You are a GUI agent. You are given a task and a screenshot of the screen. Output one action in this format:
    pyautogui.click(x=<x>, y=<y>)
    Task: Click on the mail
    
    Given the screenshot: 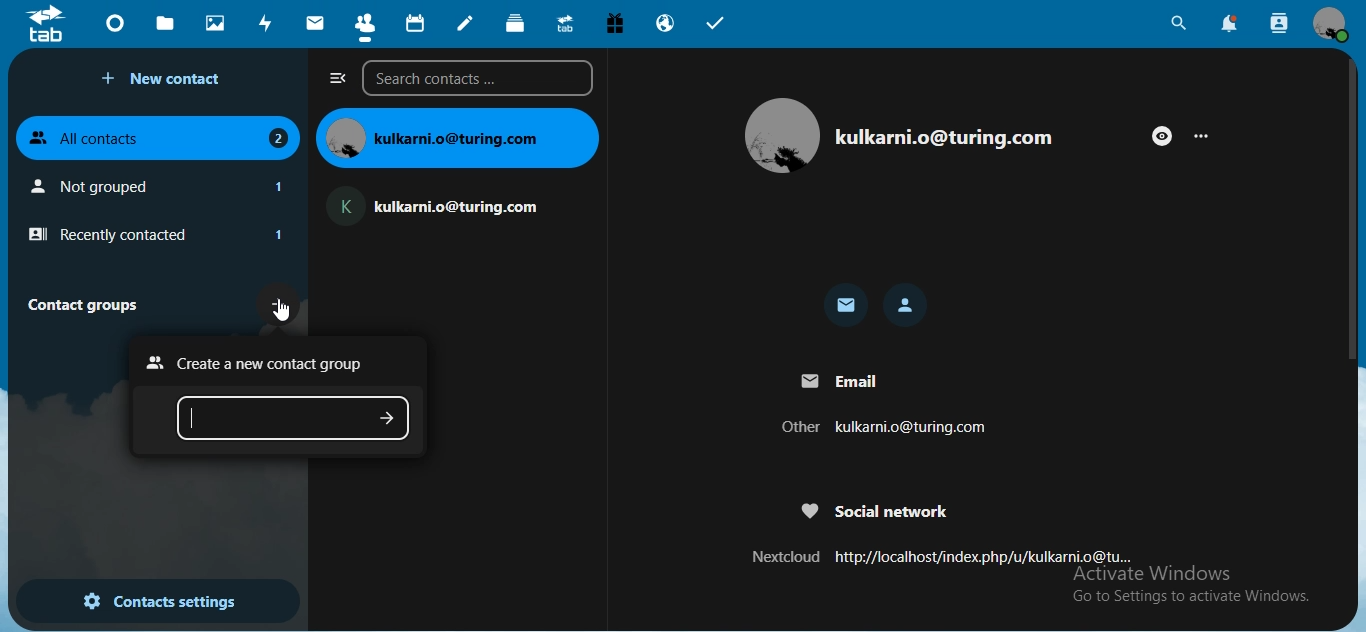 What is the action you would take?
    pyautogui.click(x=317, y=23)
    